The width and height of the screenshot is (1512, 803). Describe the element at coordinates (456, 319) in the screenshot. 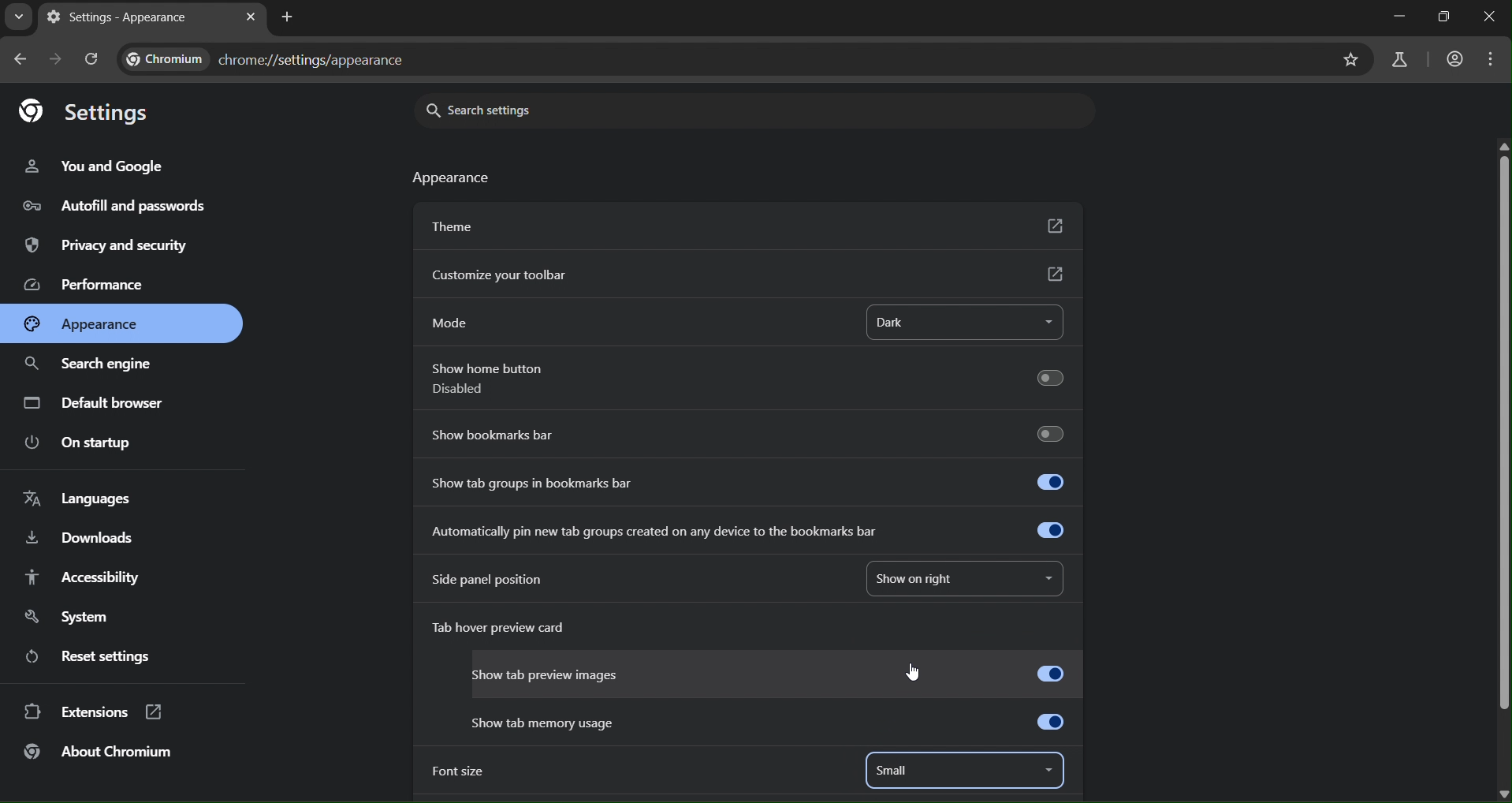

I see `mode` at that location.